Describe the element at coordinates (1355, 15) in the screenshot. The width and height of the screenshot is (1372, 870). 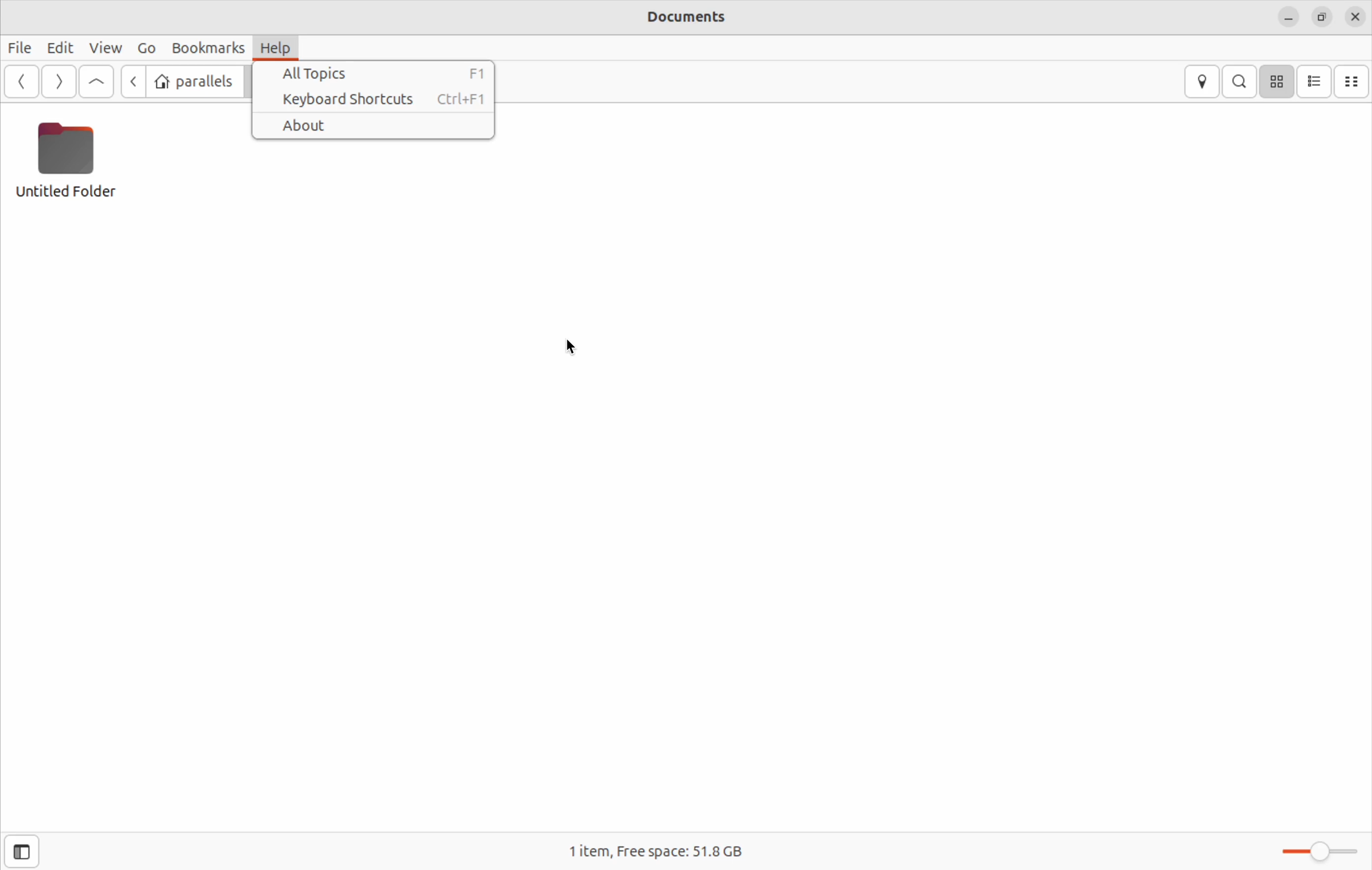
I see `close` at that location.